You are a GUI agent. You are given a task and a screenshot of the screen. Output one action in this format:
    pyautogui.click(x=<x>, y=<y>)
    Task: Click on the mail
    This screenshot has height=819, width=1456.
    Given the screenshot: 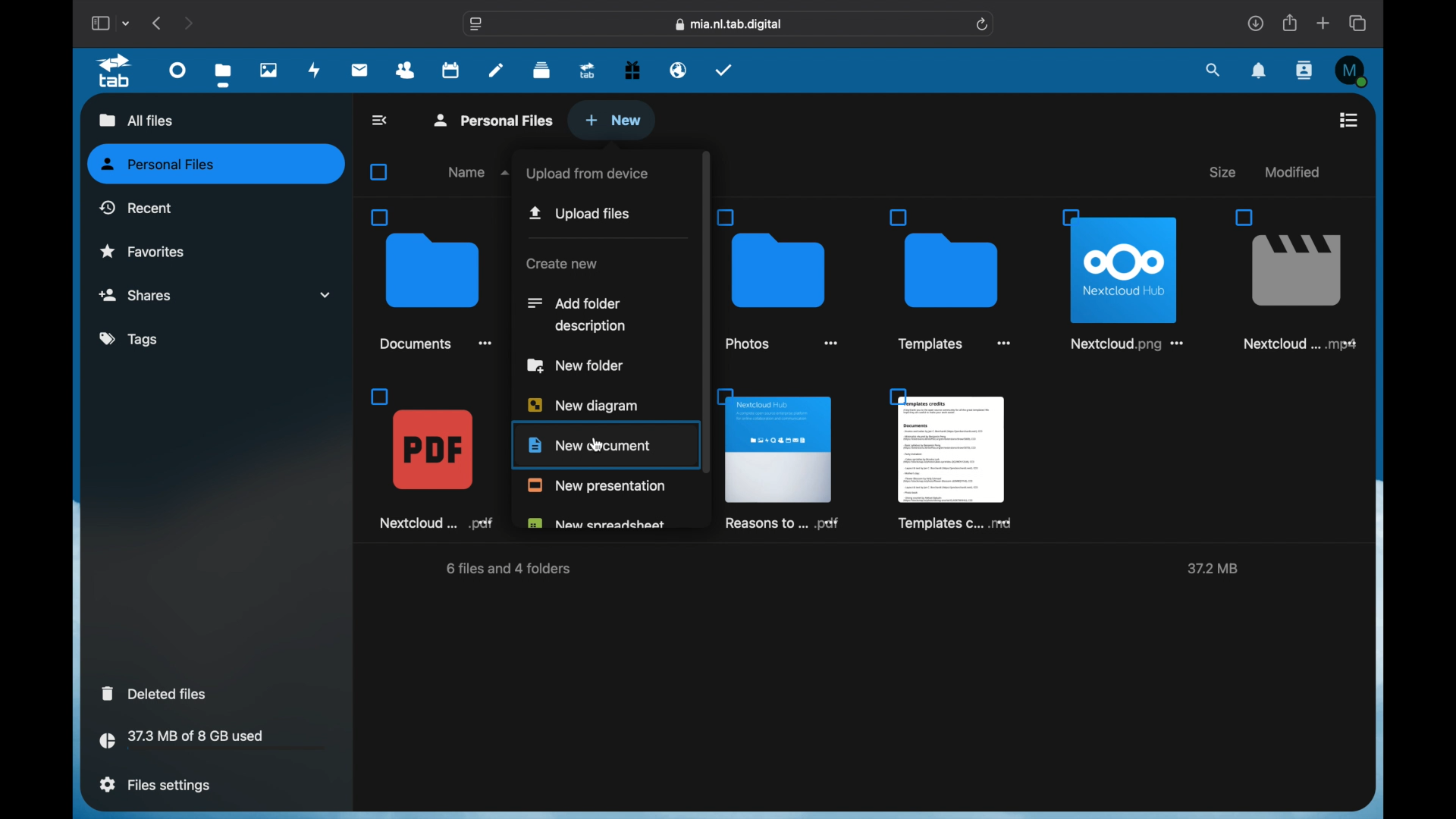 What is the action you would take?
    pyautogui.click(x=360, y=71)
    